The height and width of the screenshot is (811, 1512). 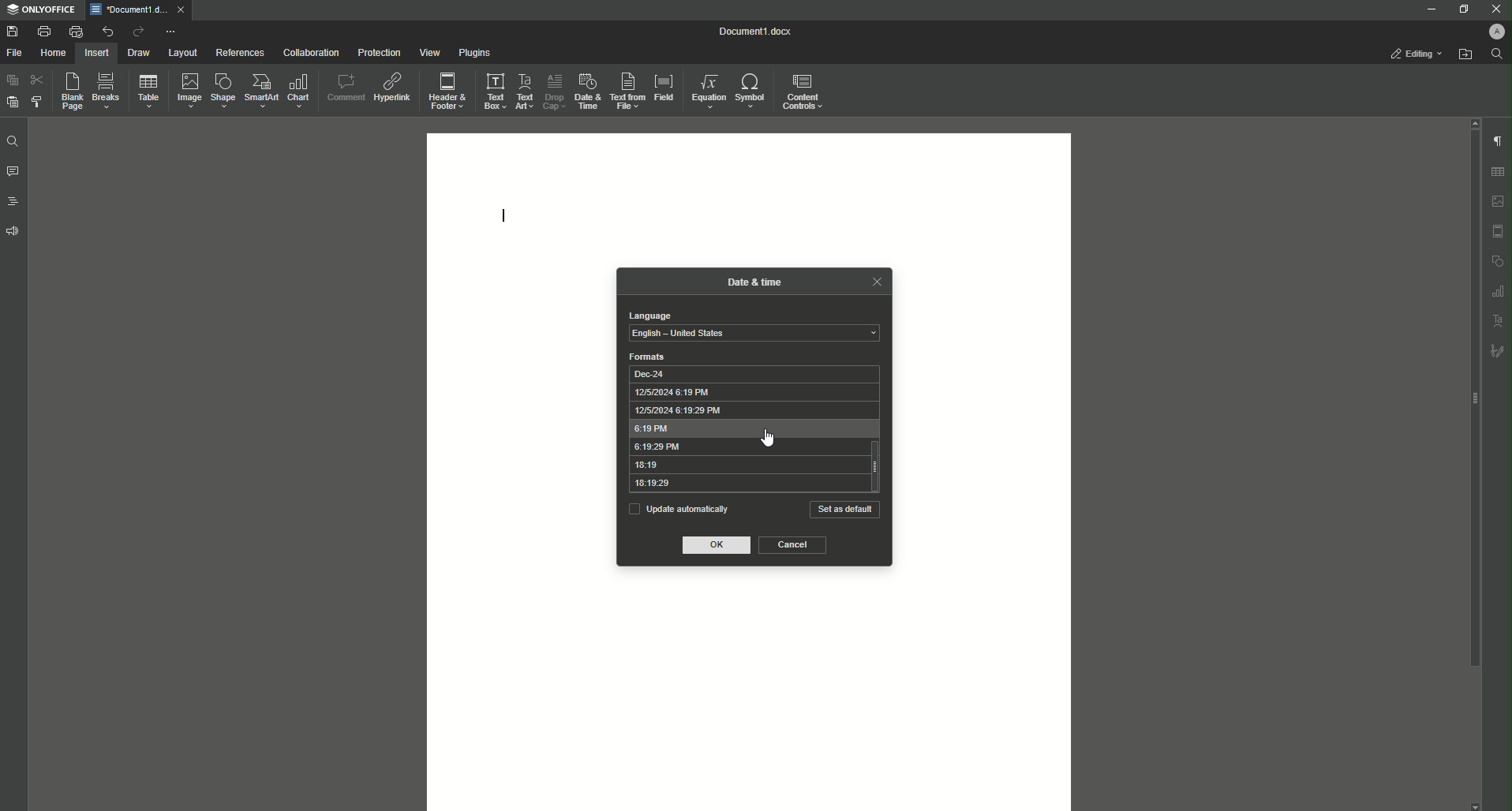 What do you see at coordinates (12, 141) in the screenshot?
I see `Find` at bounding box center [12, 141].